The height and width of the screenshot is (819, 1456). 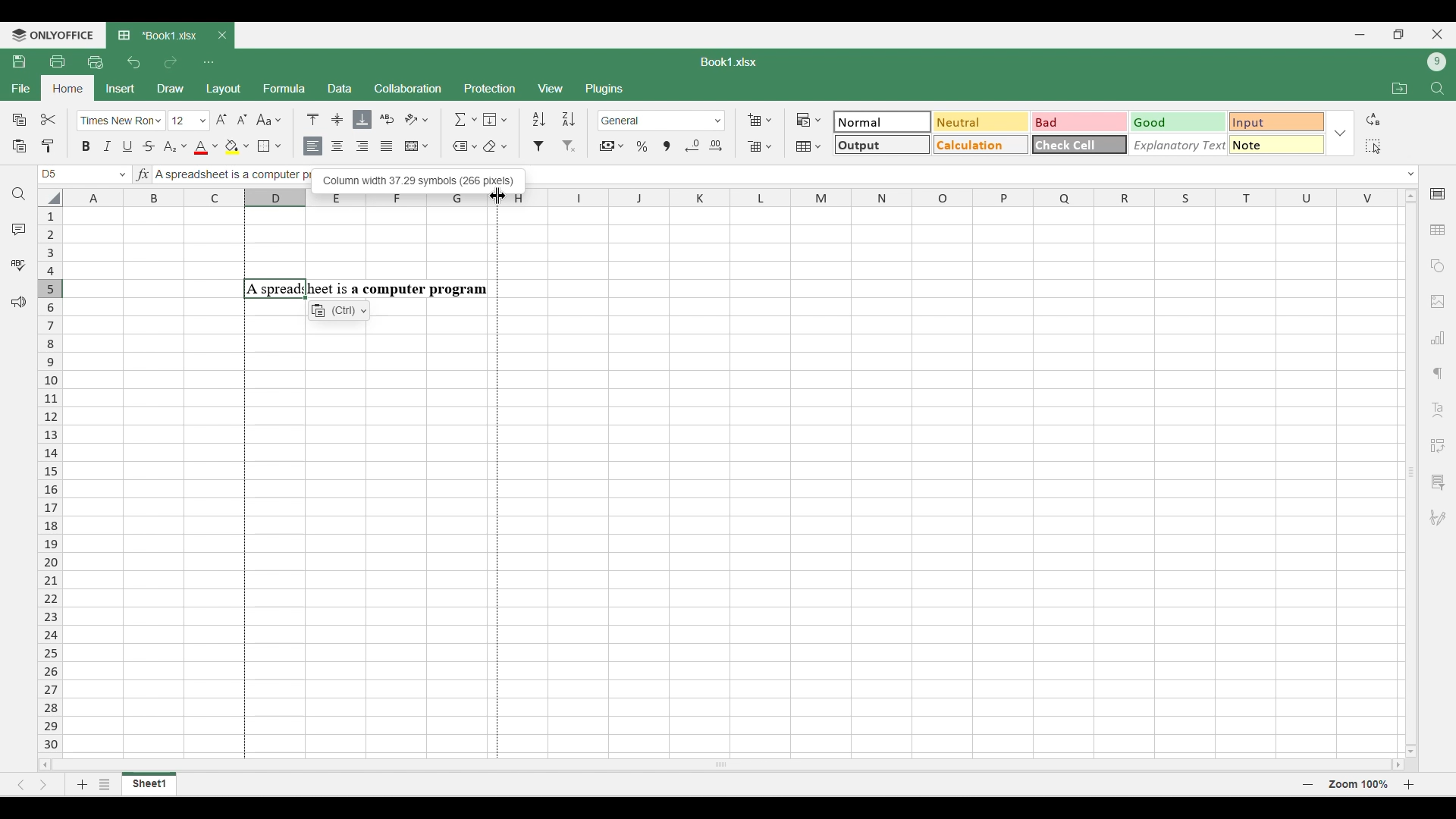 What do you see at coordinates (83, 784) in the screenshot?
I see `Add sheets` at bounding box center [83, 784].